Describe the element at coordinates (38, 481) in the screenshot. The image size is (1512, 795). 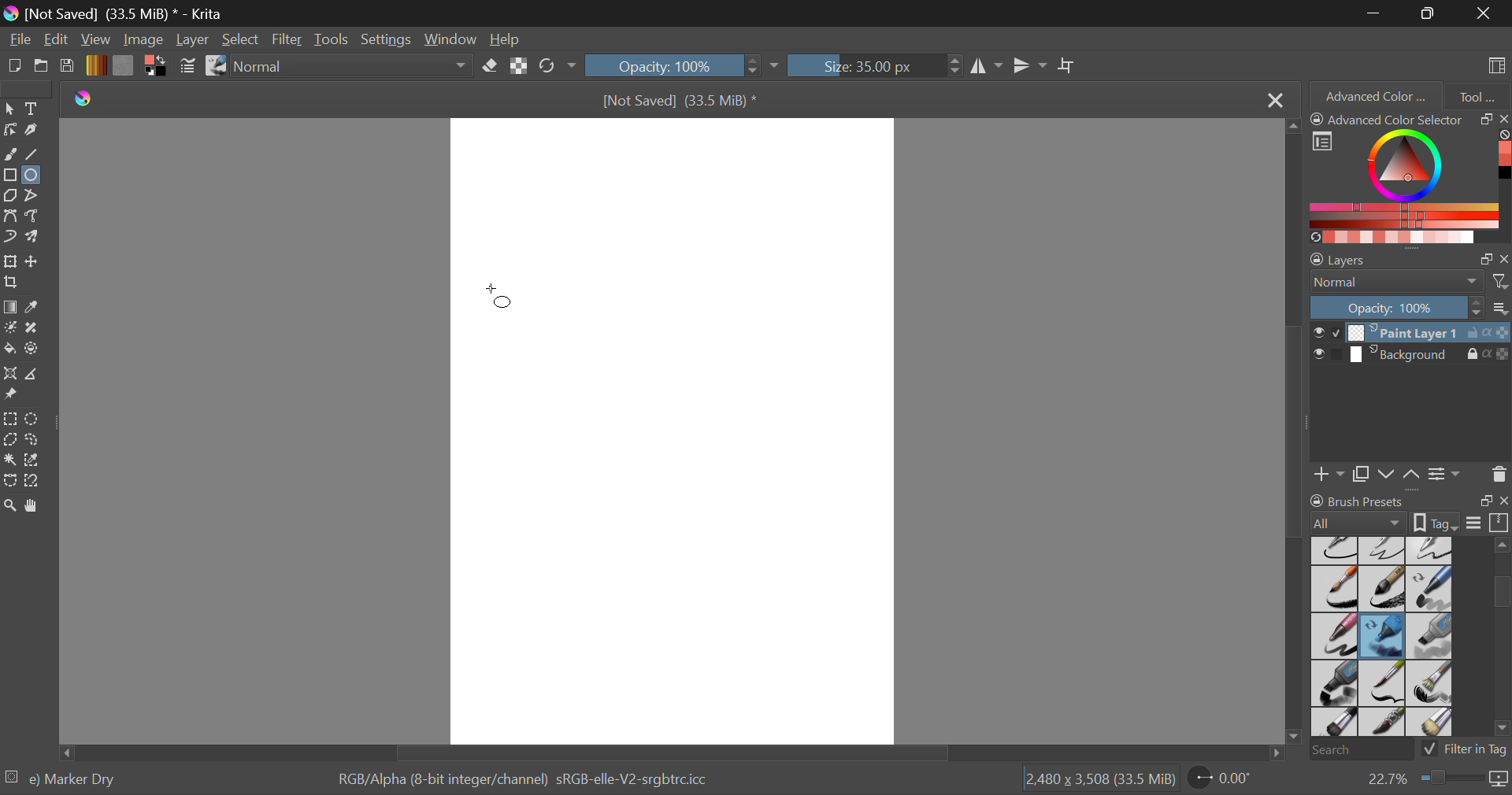
I see `Magnetic Curve Selection` at that location.